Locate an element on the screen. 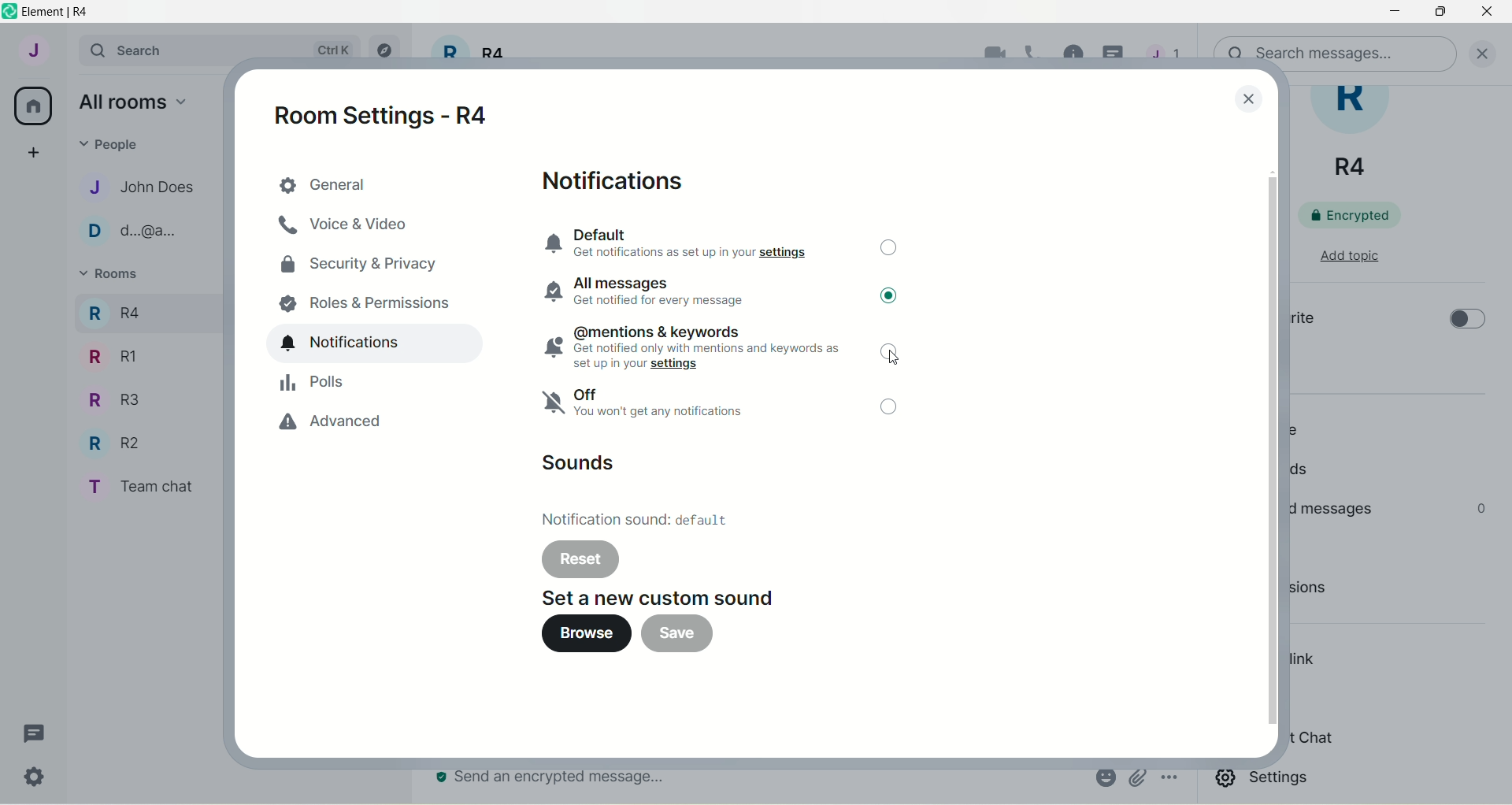 This screenshot has width=1512, height=805. Ctrl K is located at coordinates (330, 50).